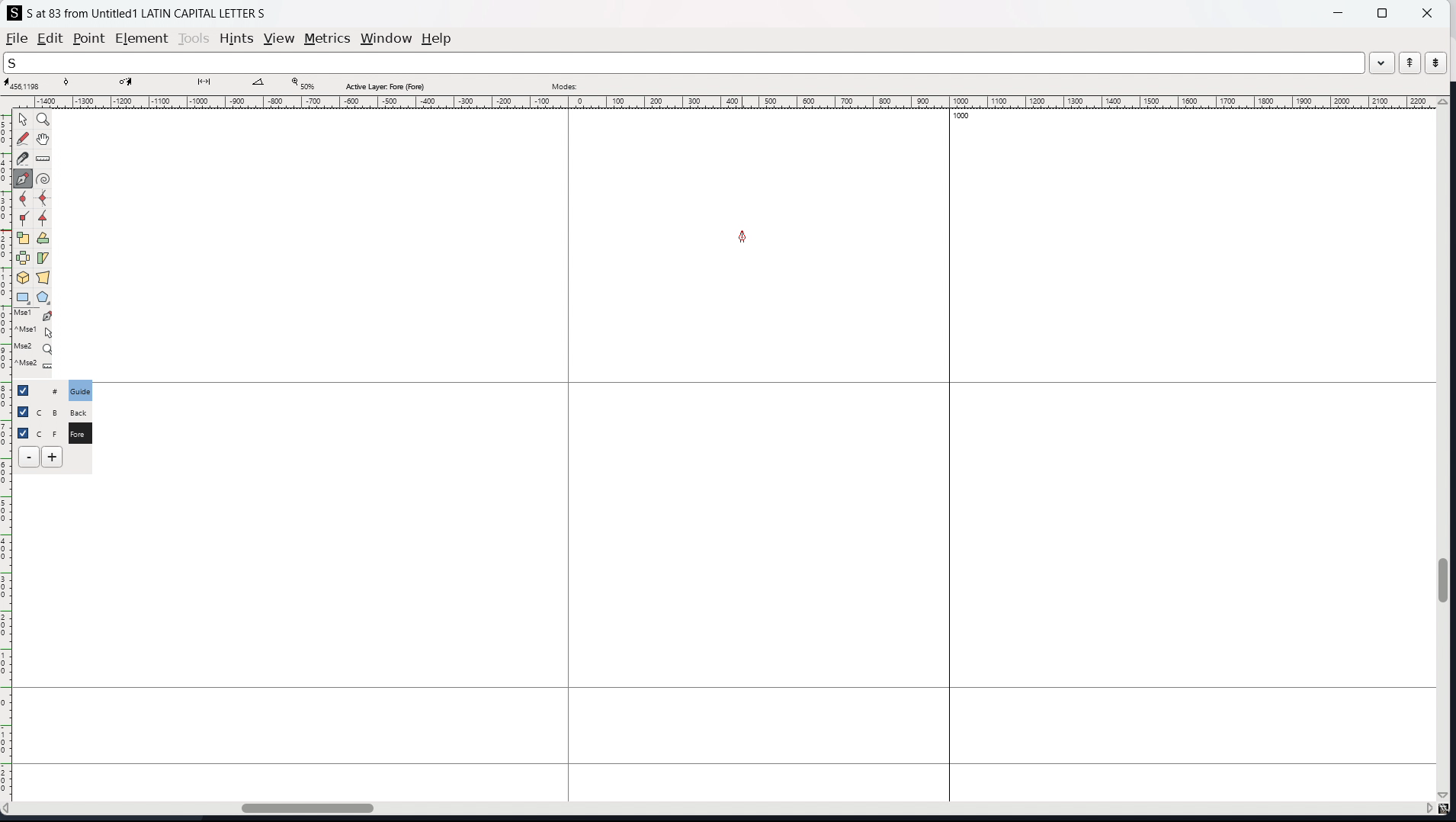  What do you see at coordinates (27, 390) in the screenshot?
I see `checkbox` at bounding box center [27, 390].